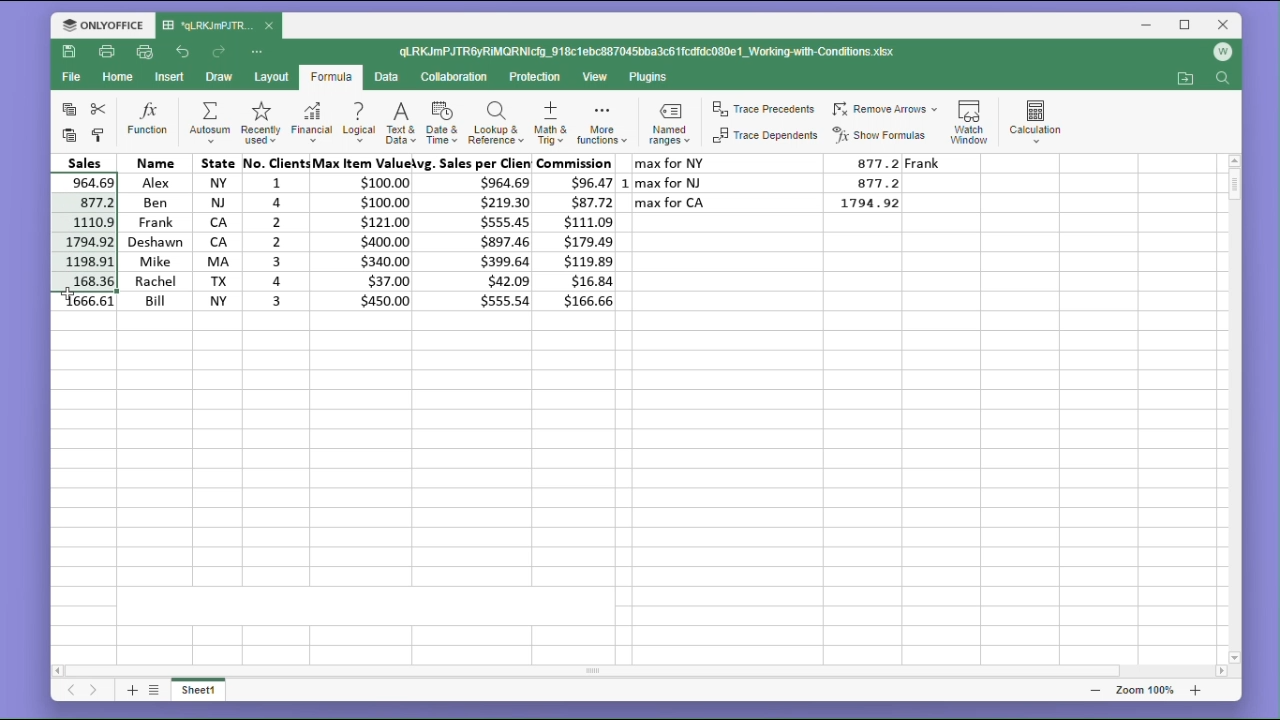  Describe the element at coordinates (219, 78) in the screenshot. I see `draw` at that location.